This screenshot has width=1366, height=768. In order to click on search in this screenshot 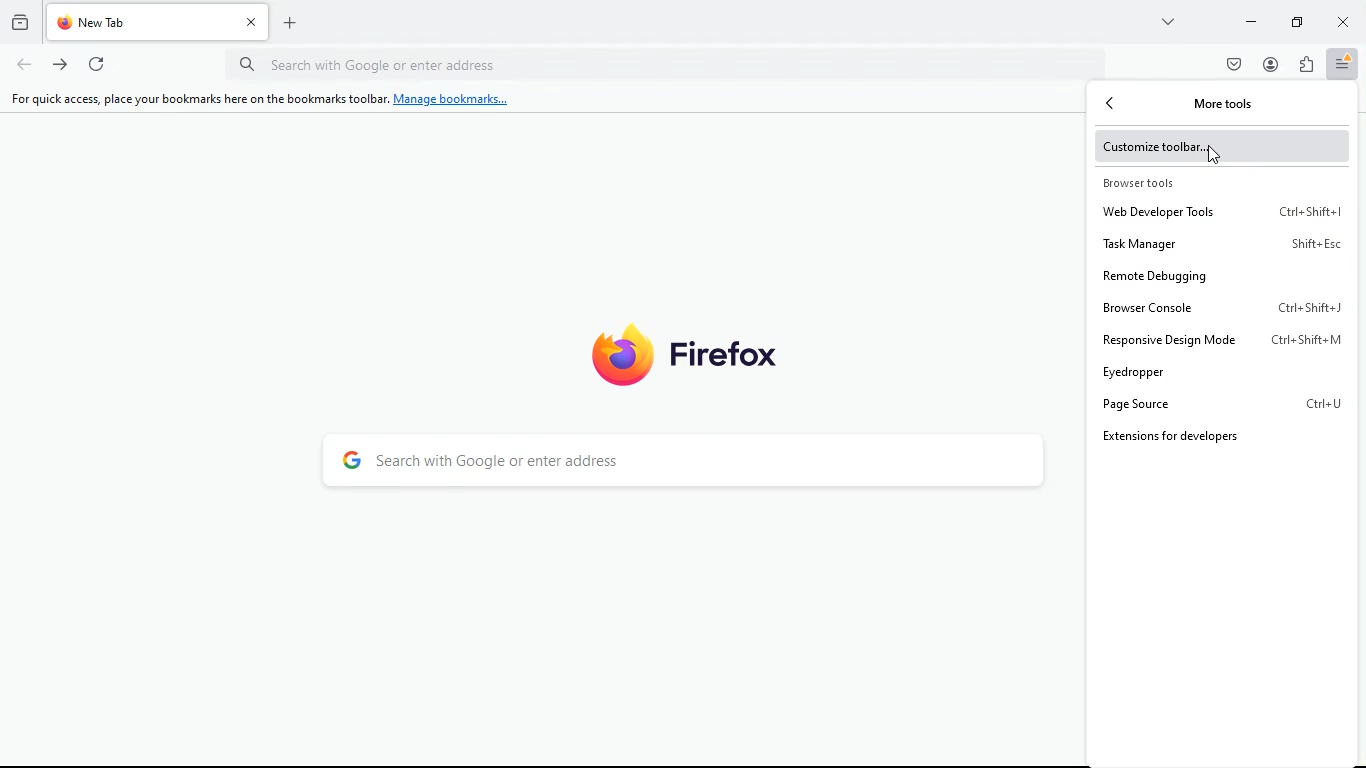, I will do `click(686, 461)`.